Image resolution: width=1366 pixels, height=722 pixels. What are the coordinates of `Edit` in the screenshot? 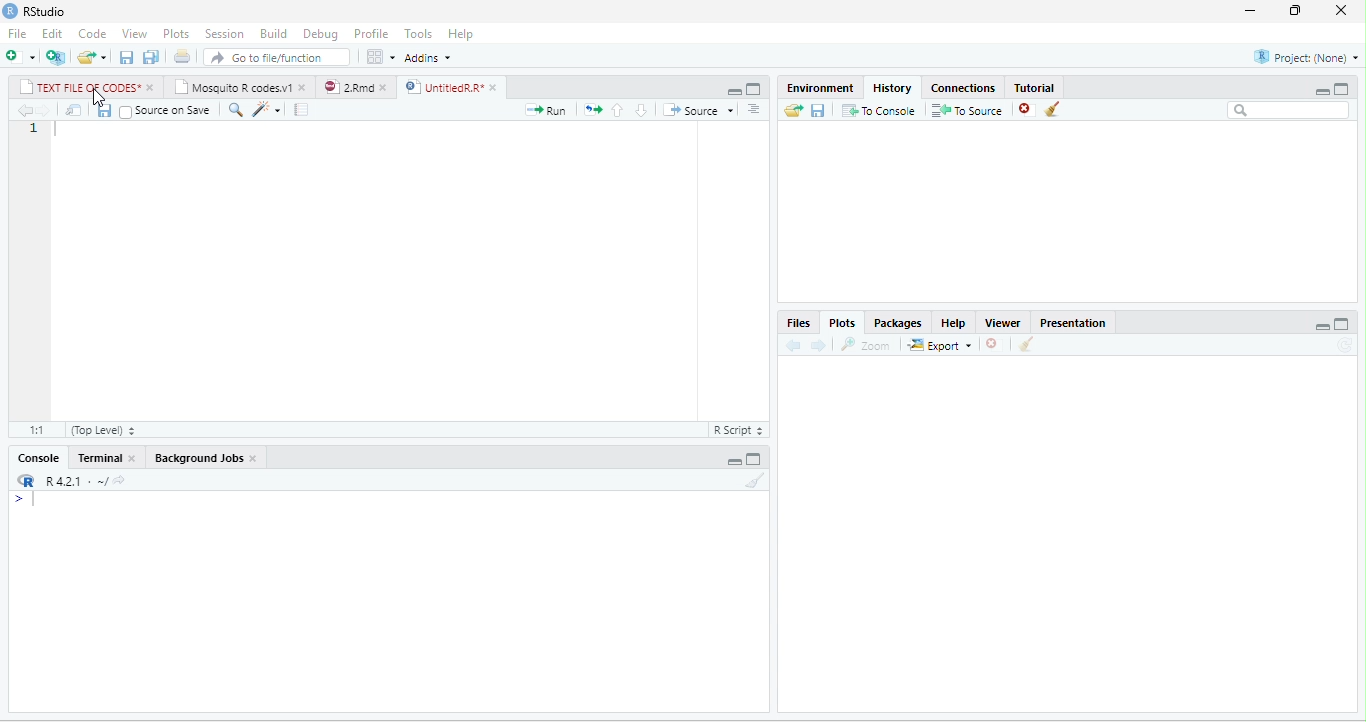 It's located at (52, 33).